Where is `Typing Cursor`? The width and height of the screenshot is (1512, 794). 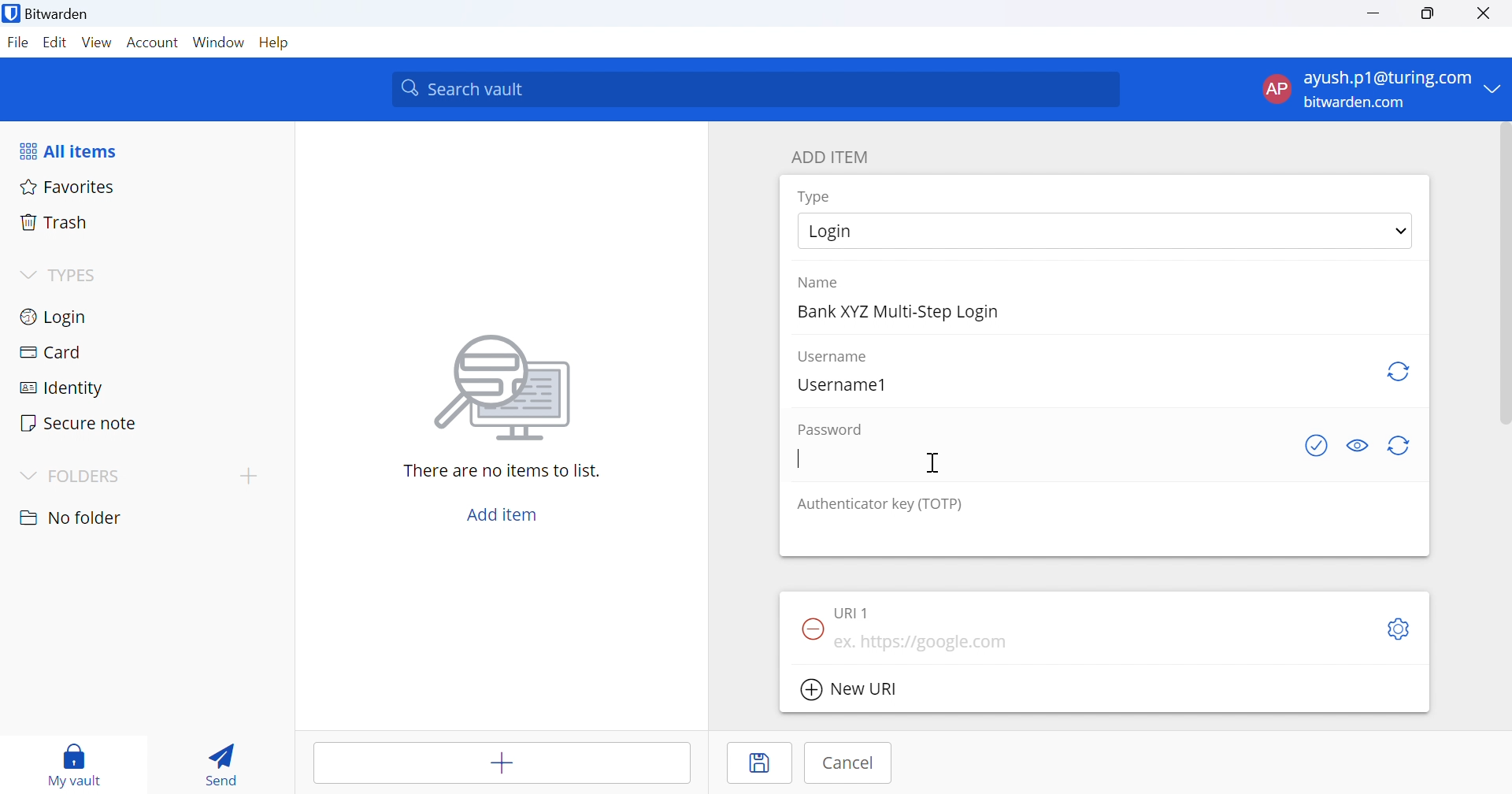
Typing Cursor is located at coordinates (798, 460).